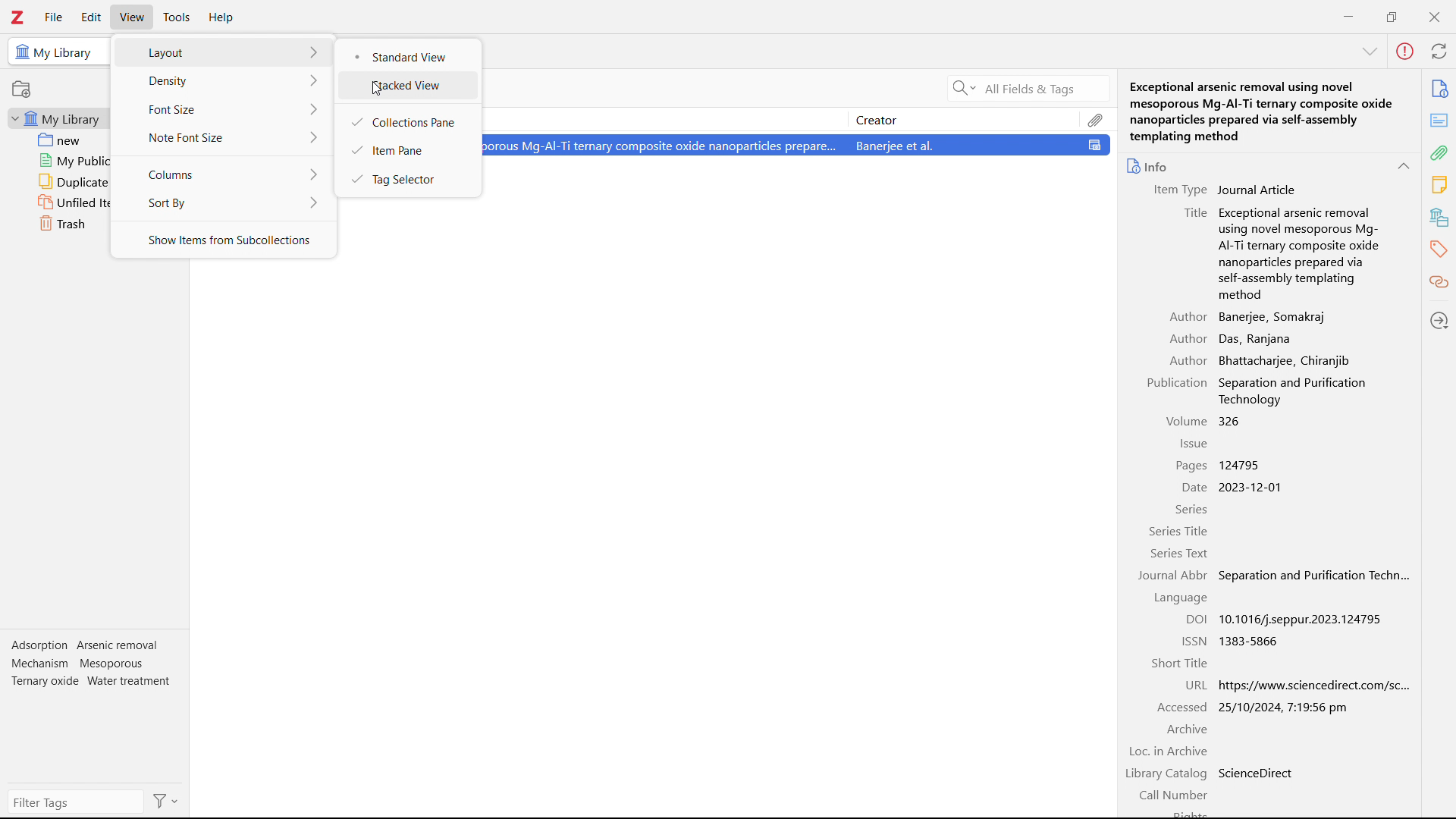 This screenshot has height=819, width=1456. What do you see at coordinates (75, 802) in the screenshot?
I see `filter tags` at bounding box center [75, 802].